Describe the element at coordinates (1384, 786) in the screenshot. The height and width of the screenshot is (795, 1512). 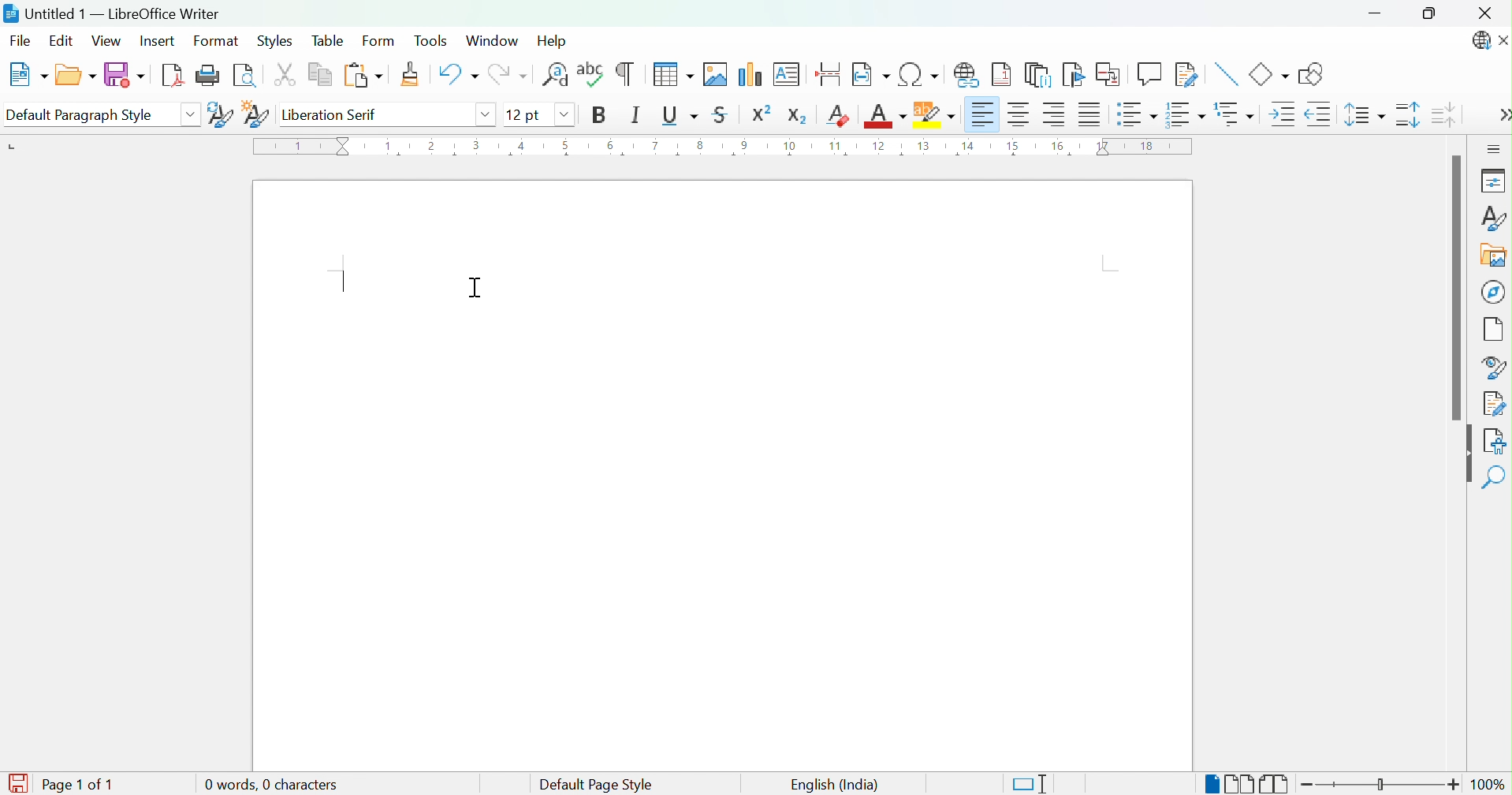
I see `Slider` at that location.